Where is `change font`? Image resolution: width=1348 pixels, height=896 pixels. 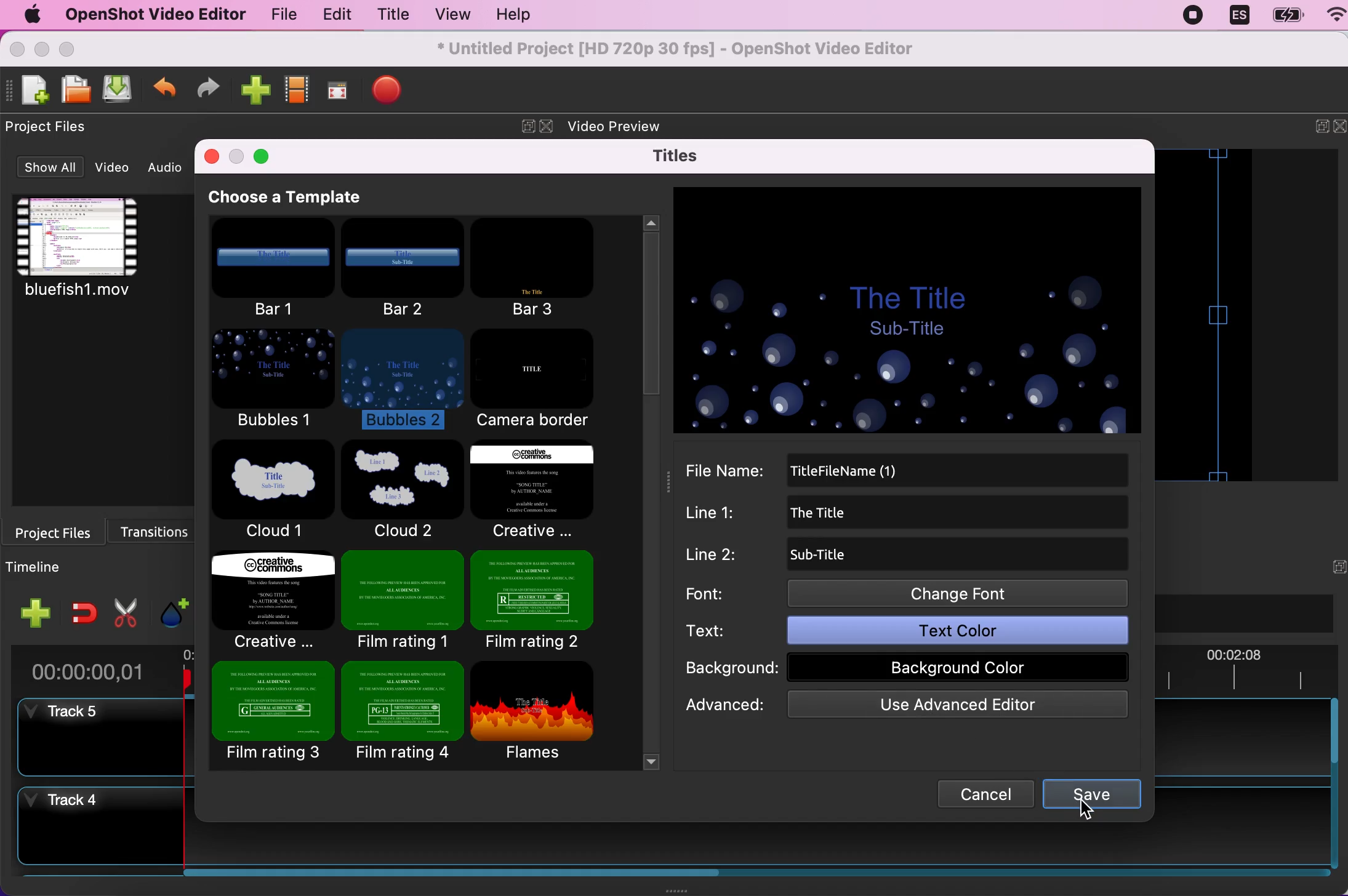 change font is located at coordinates (959, 593).